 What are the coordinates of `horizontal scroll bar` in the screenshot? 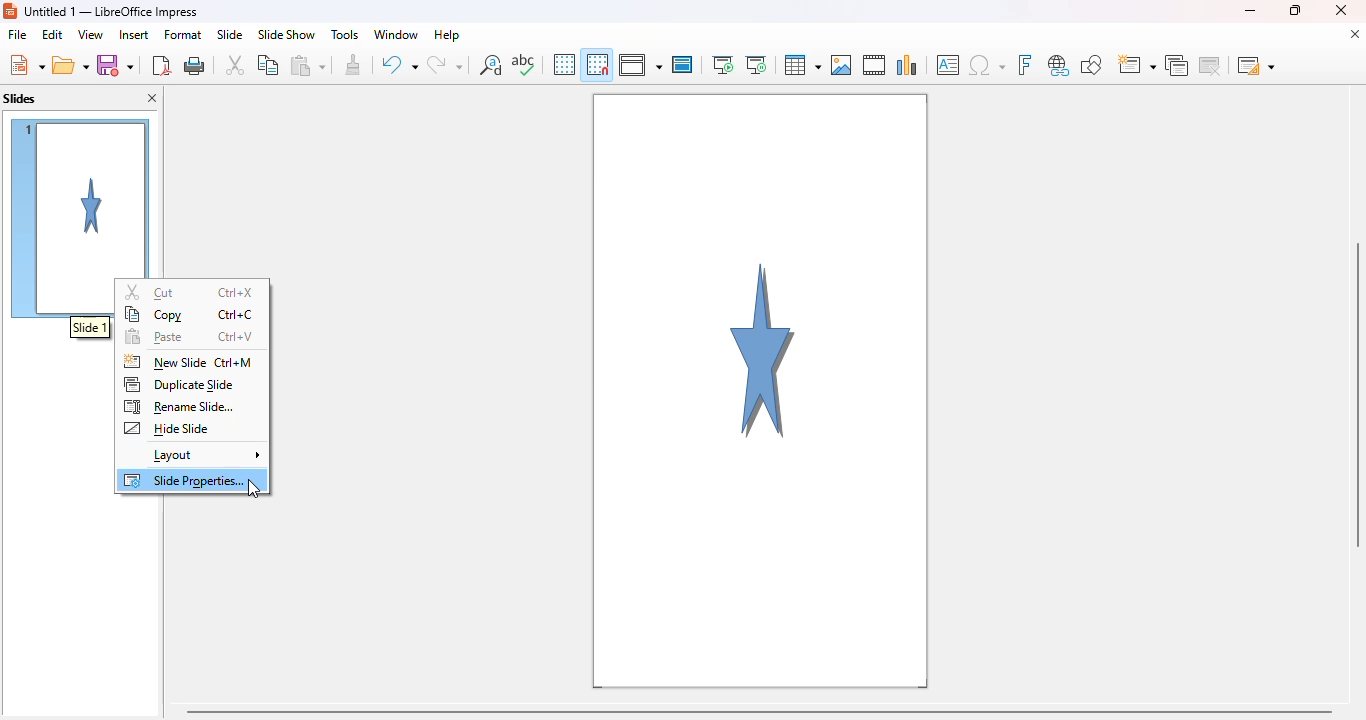 It's located at (762, 710).